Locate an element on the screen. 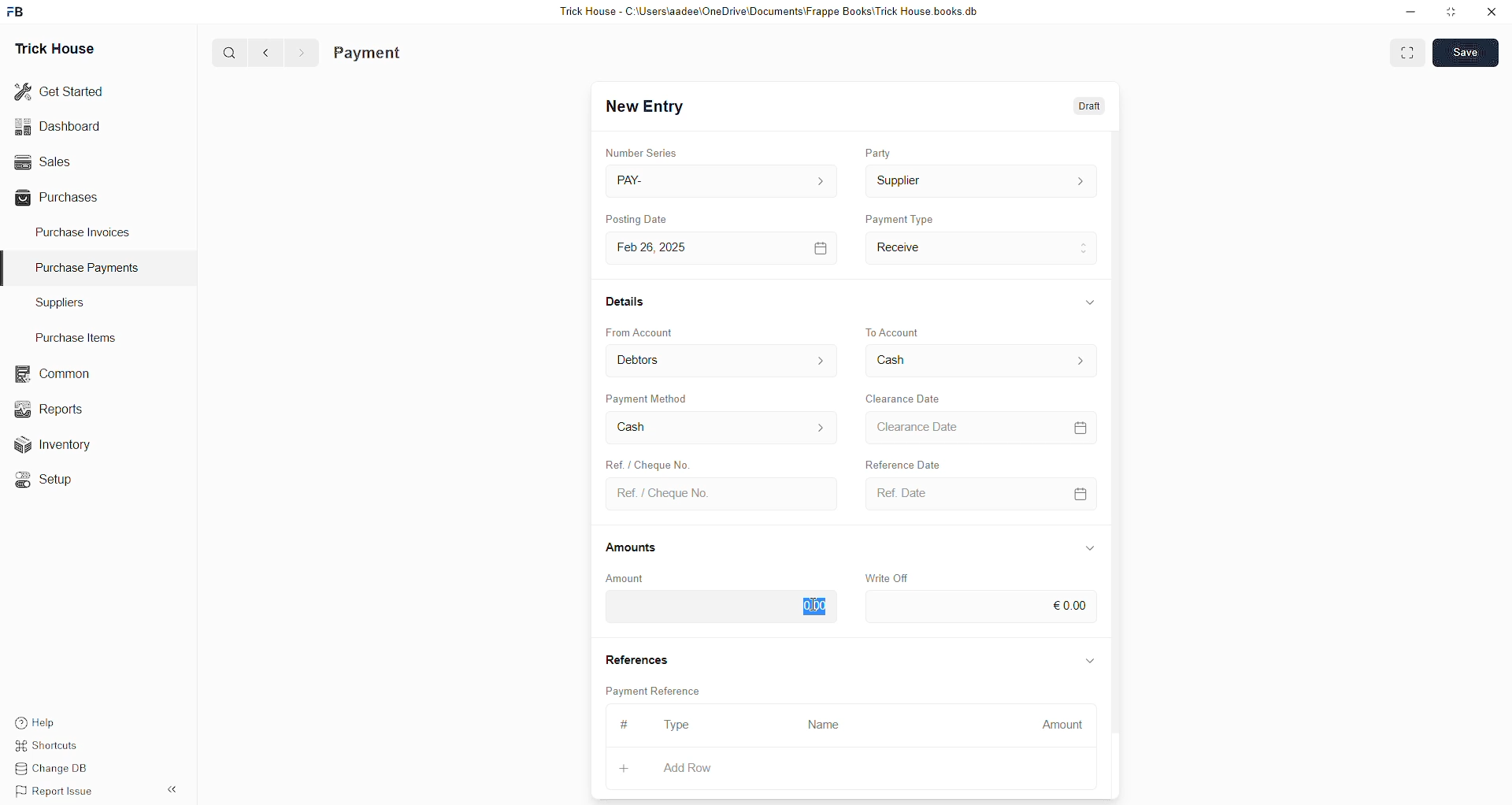  To Account is located at coordinates (898, 326).